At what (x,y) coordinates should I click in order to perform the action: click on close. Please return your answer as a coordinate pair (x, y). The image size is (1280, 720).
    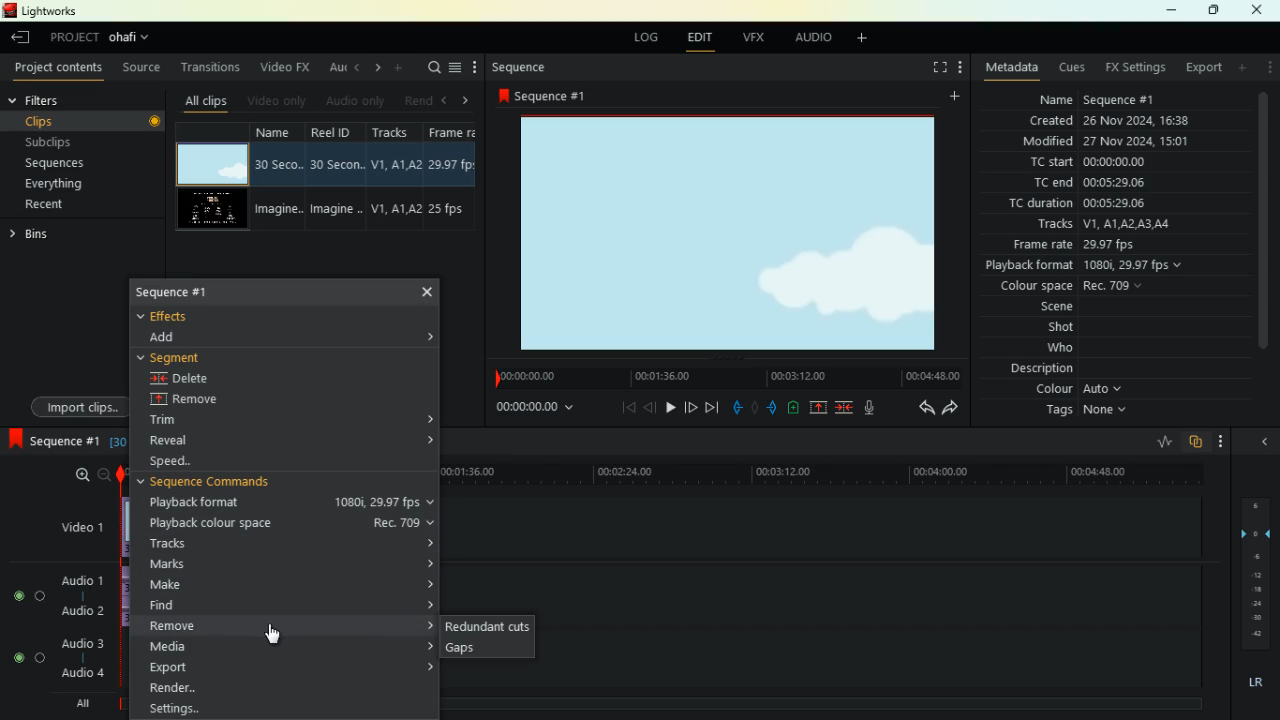
    Looking at the image, I should click on (1262, 443).